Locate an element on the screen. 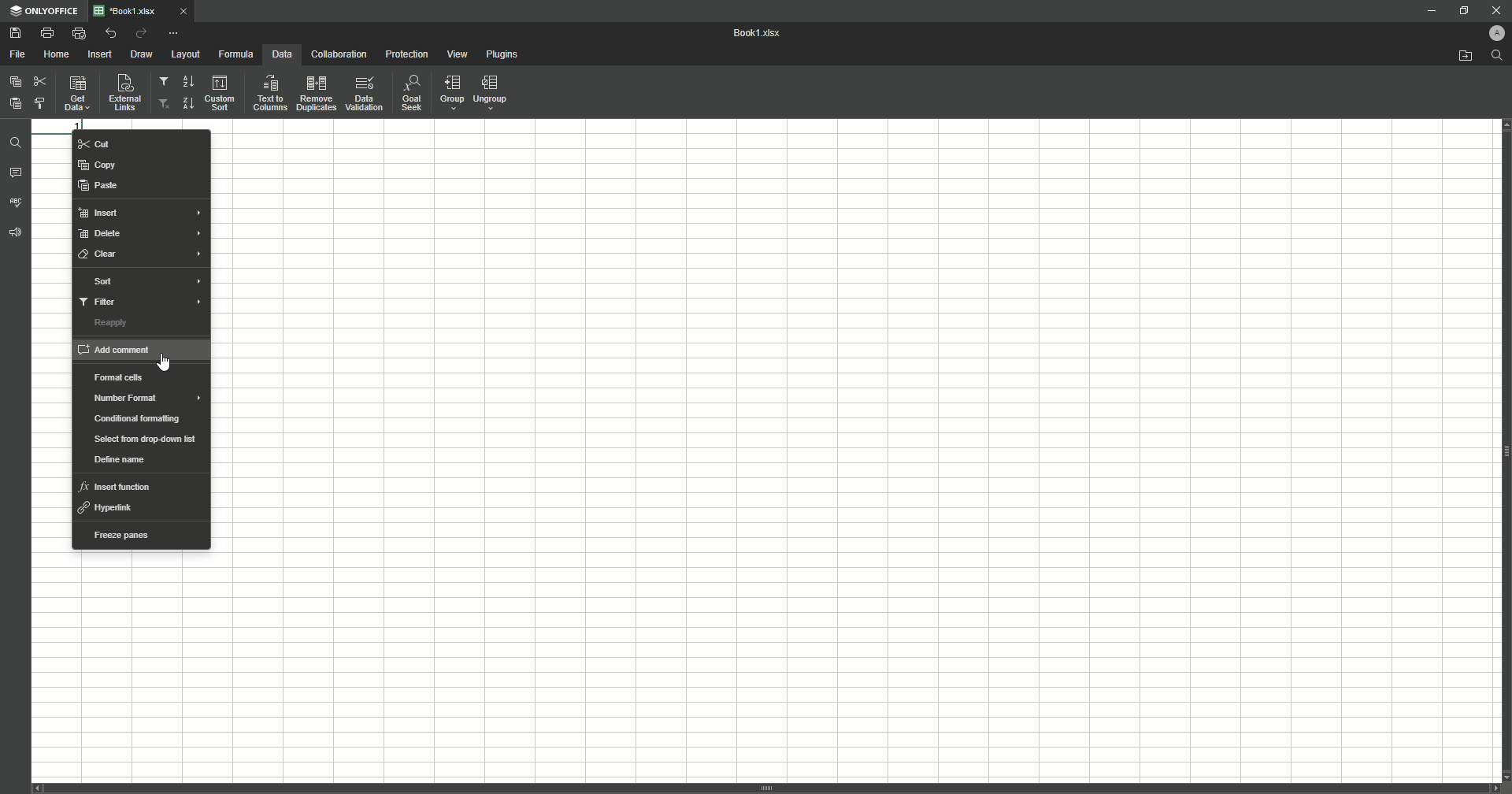 The image size is (1512, 794). Format cells is located at coordinates (116, 378).